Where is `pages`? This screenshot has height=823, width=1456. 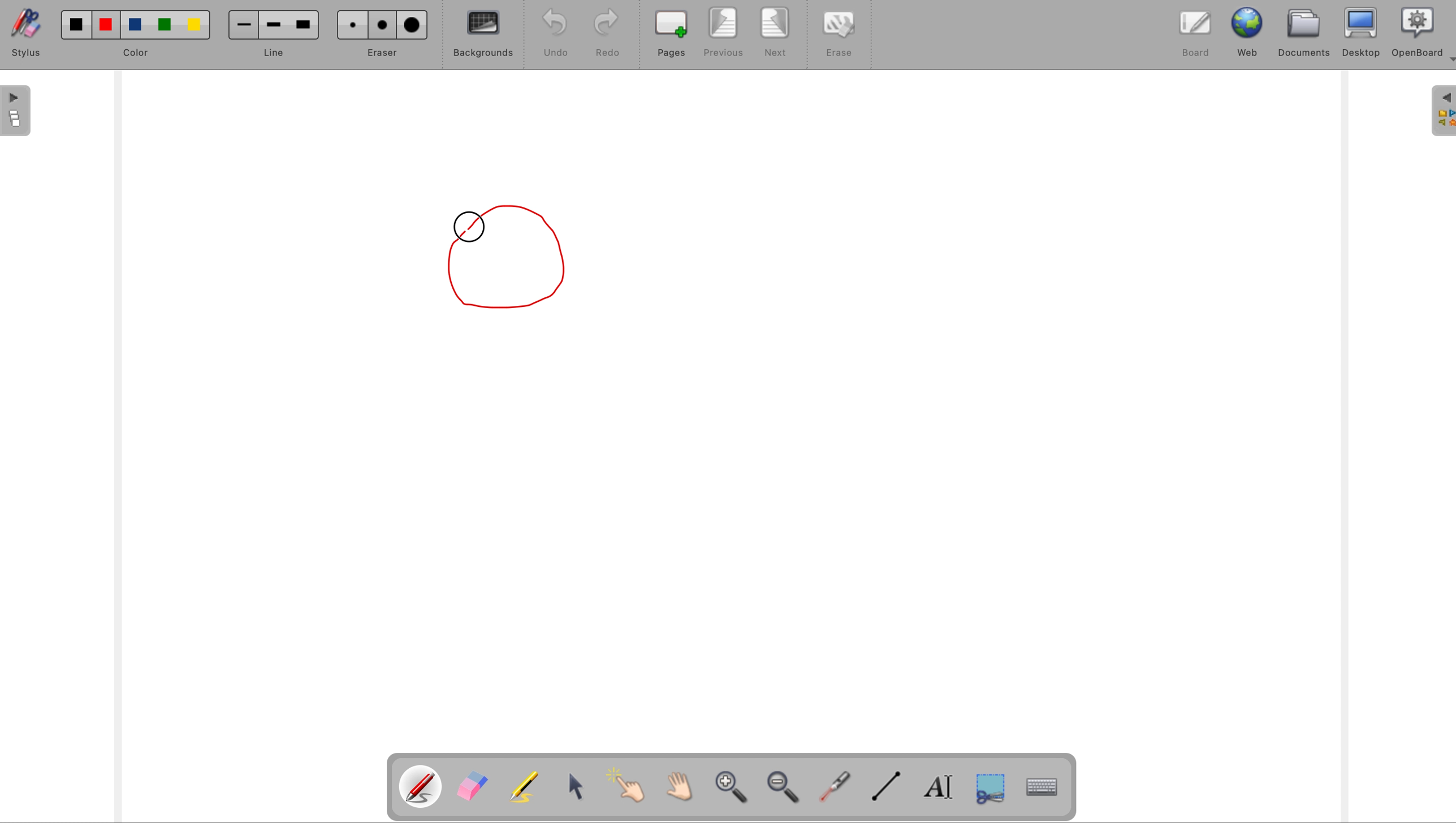 pages is located at coordinates (673, 34).